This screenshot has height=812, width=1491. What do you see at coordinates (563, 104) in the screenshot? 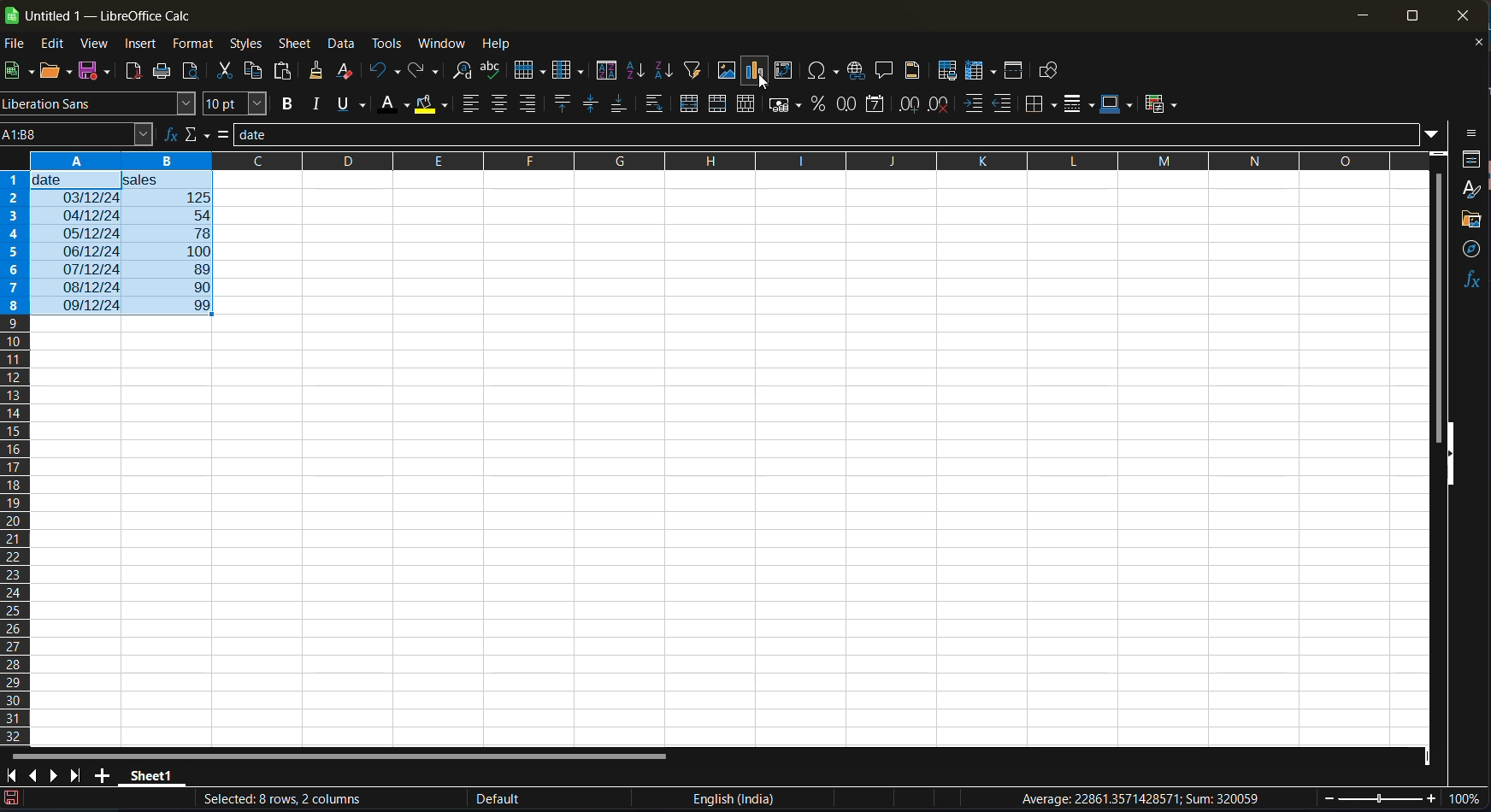
I see `align top` at bounding box center [563, 104].